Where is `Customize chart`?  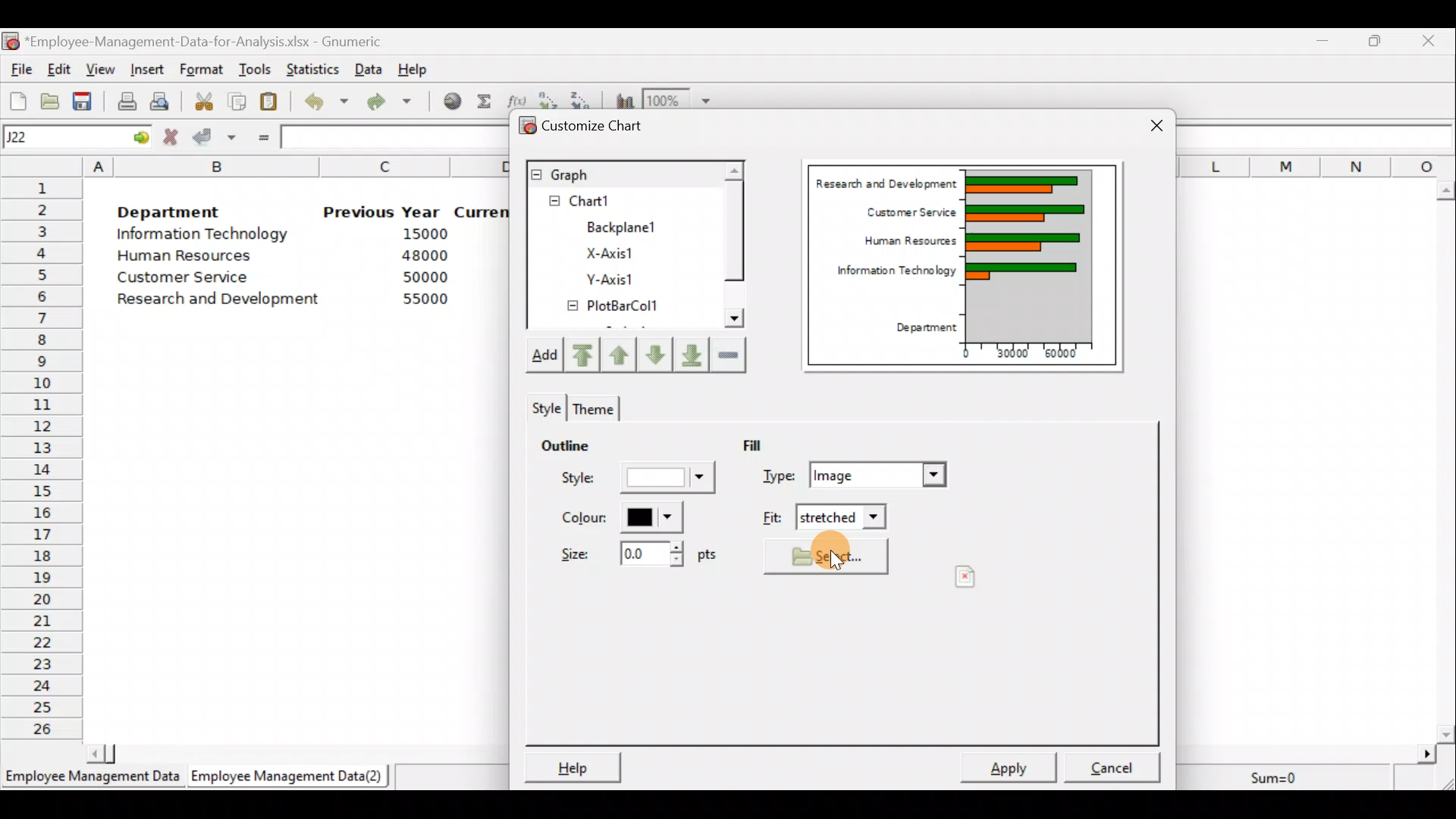 Customize chart is located at coordinates (591, 125).